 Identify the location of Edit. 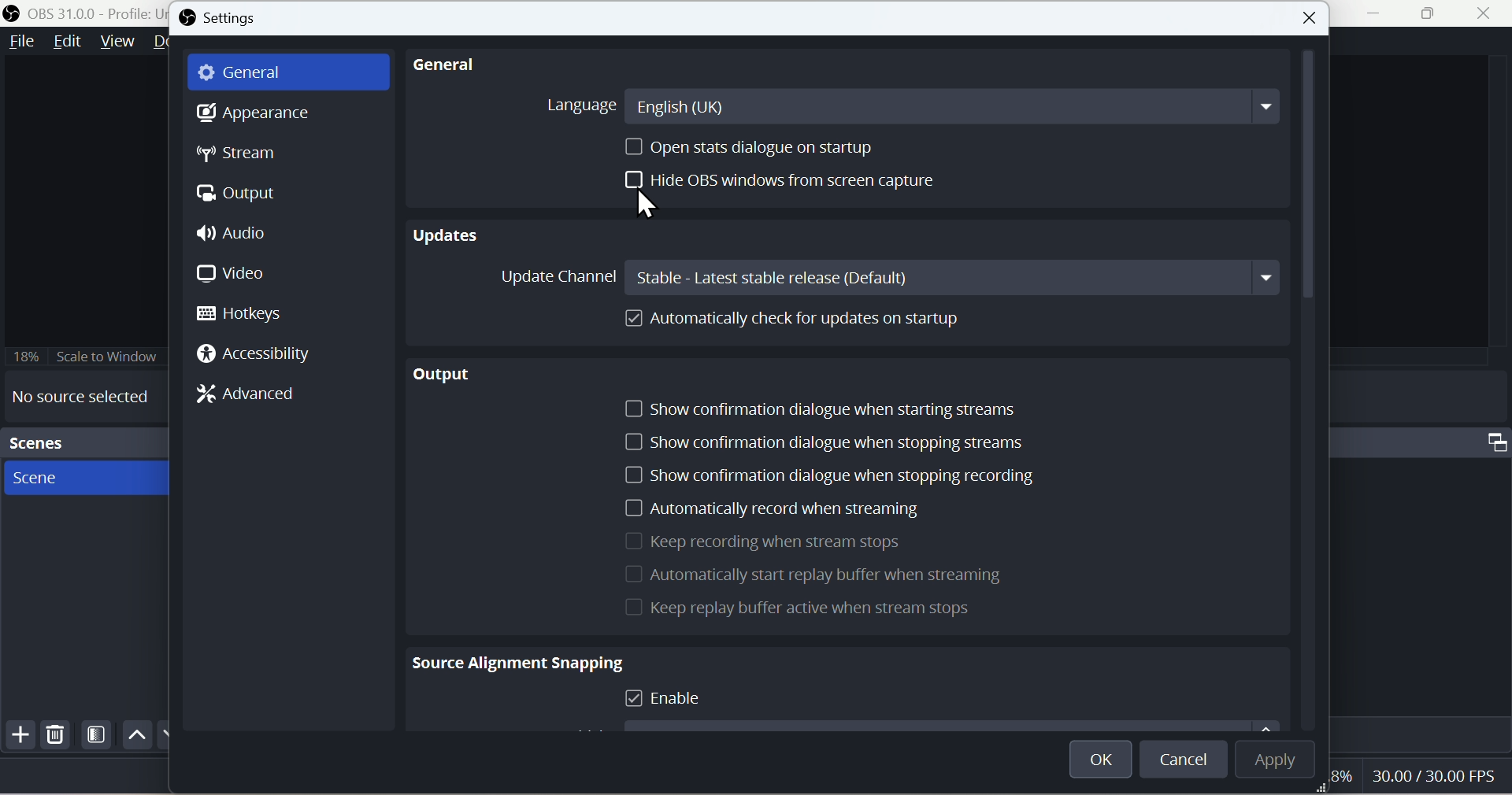
(66, 46).